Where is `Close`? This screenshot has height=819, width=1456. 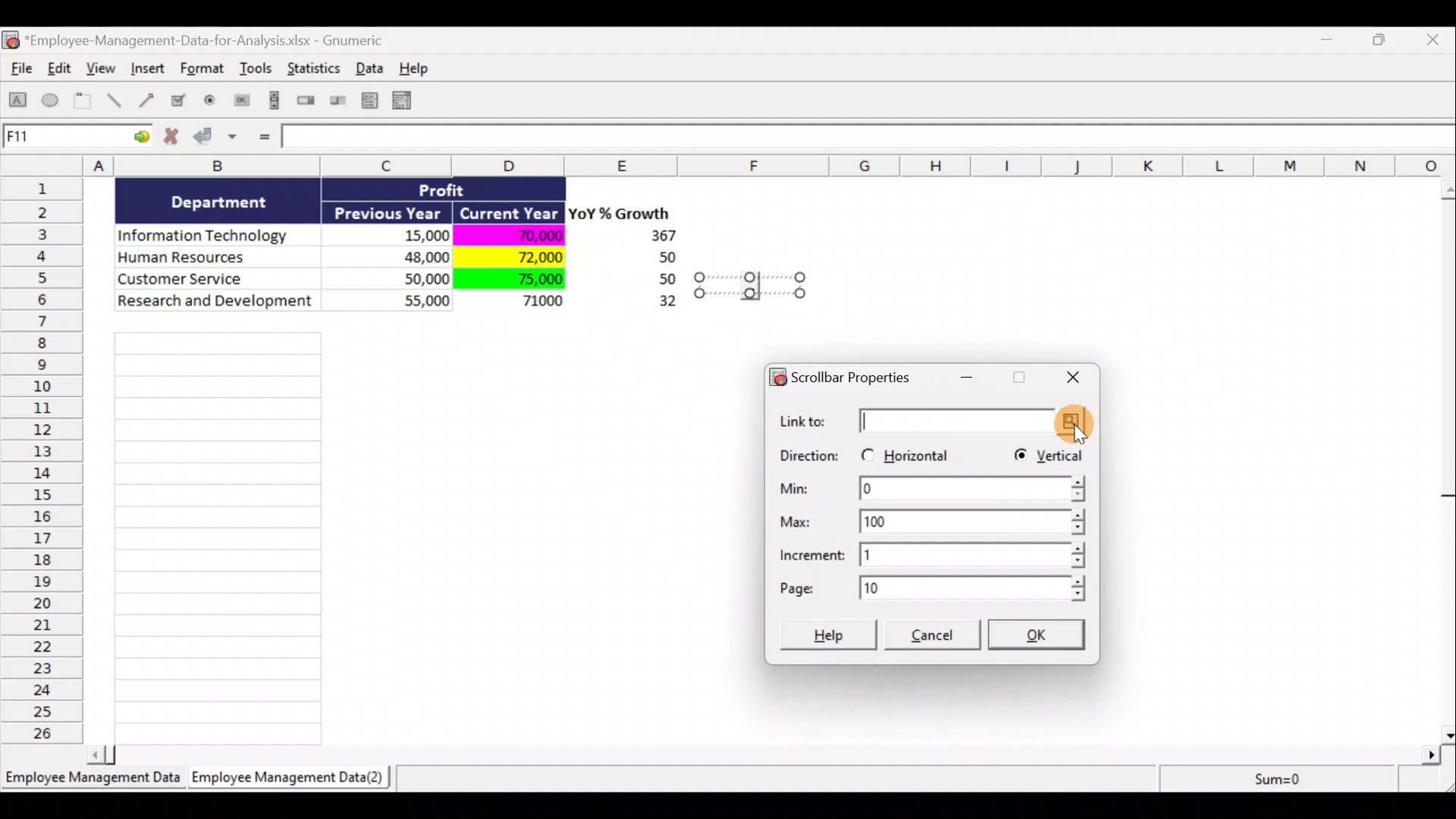 Close is located at coordinates (1436, 41).